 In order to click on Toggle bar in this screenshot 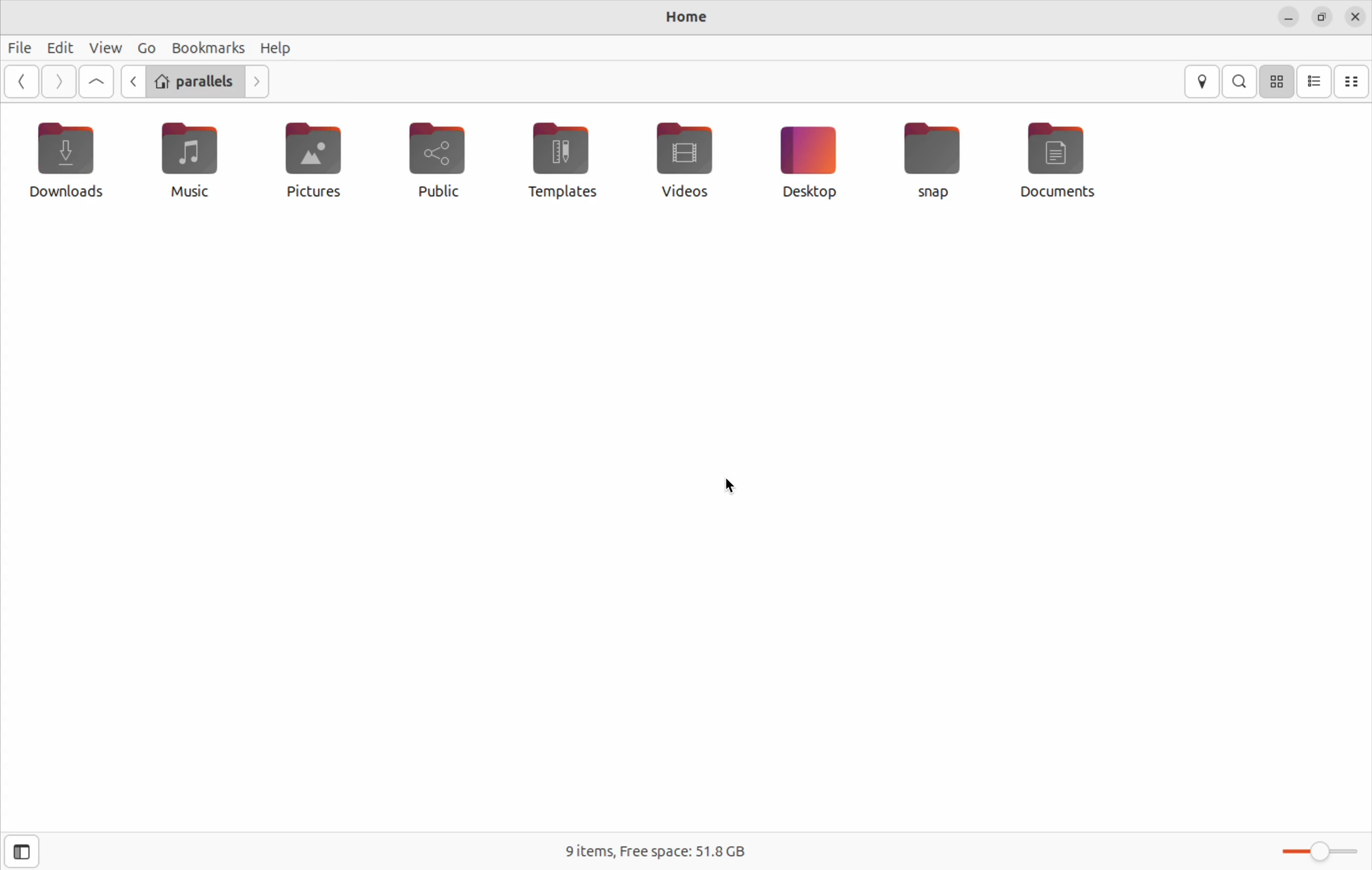, I will do `click(1316, 849)`.